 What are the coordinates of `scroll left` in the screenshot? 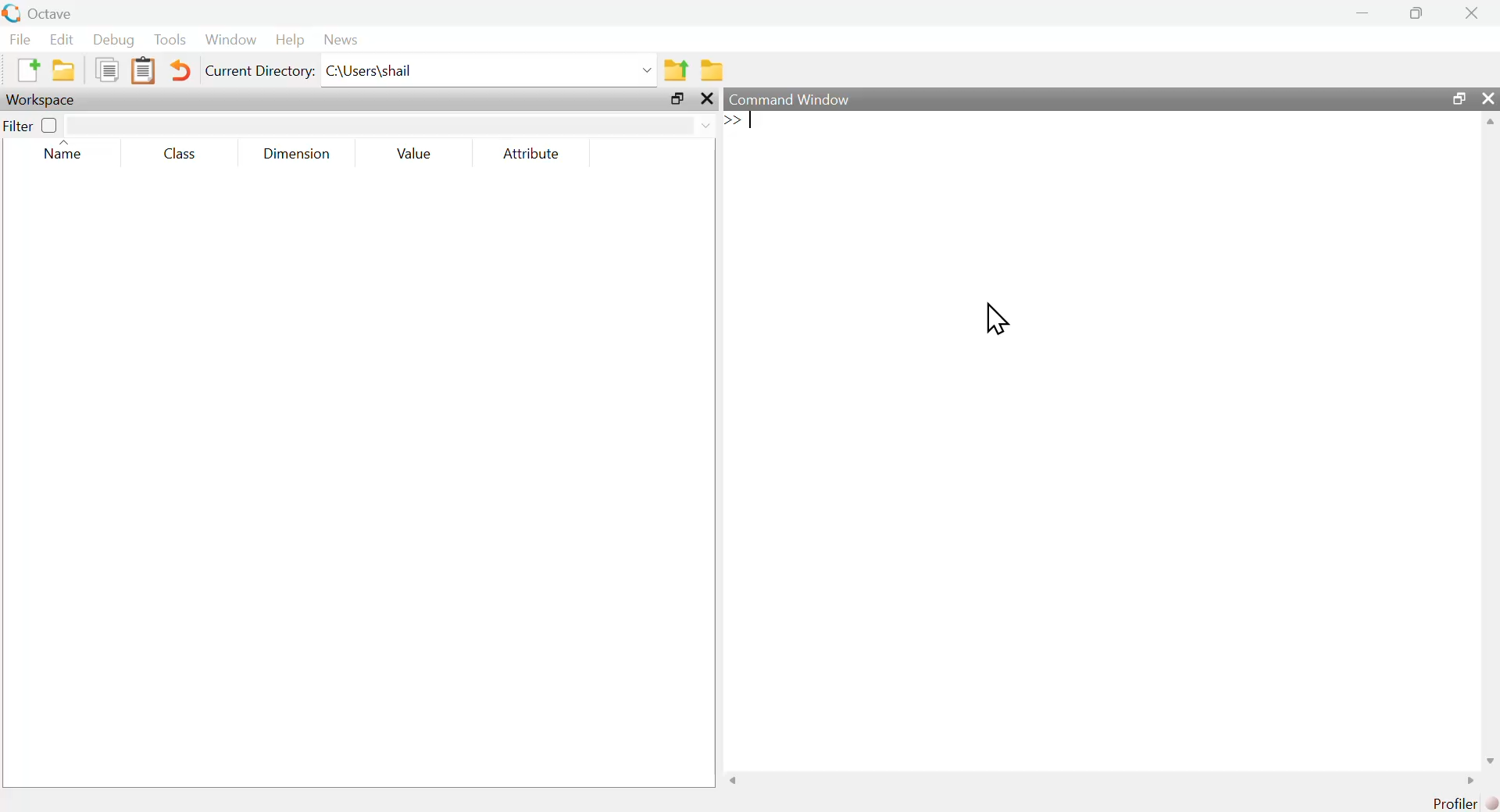 It's located at (736, 782).